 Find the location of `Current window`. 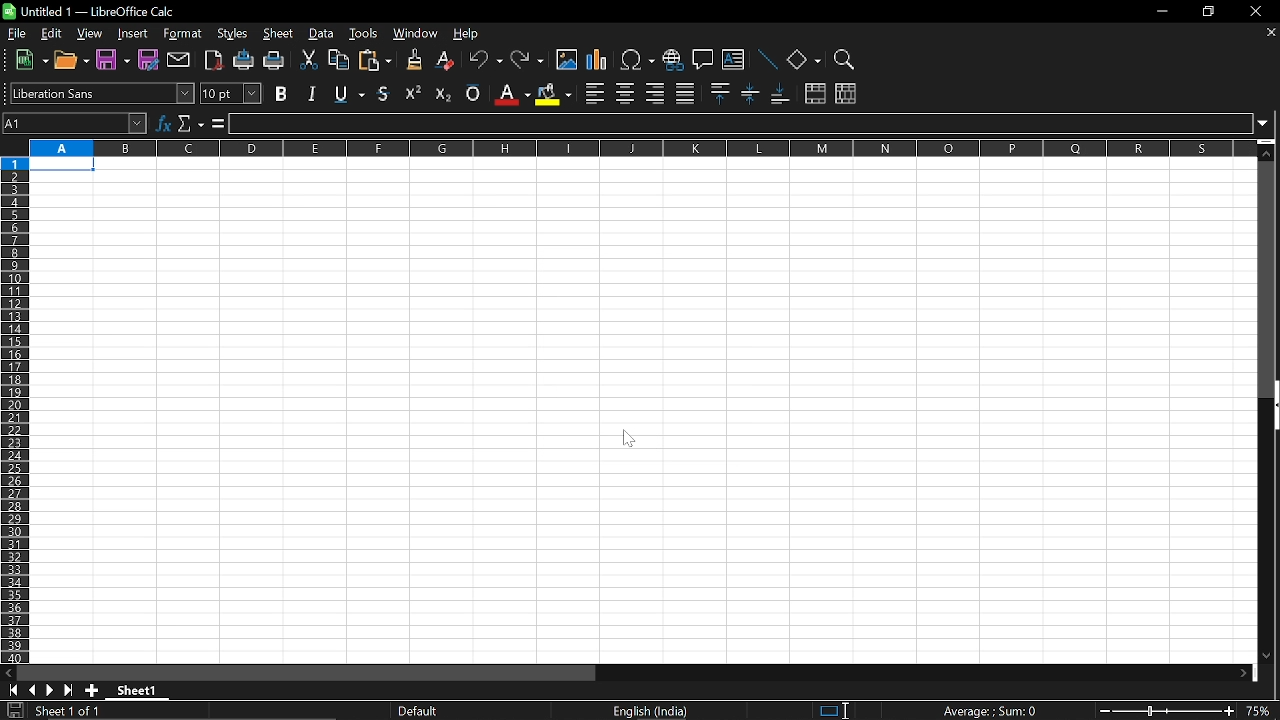

Current window is located at coordinates (97, 10).